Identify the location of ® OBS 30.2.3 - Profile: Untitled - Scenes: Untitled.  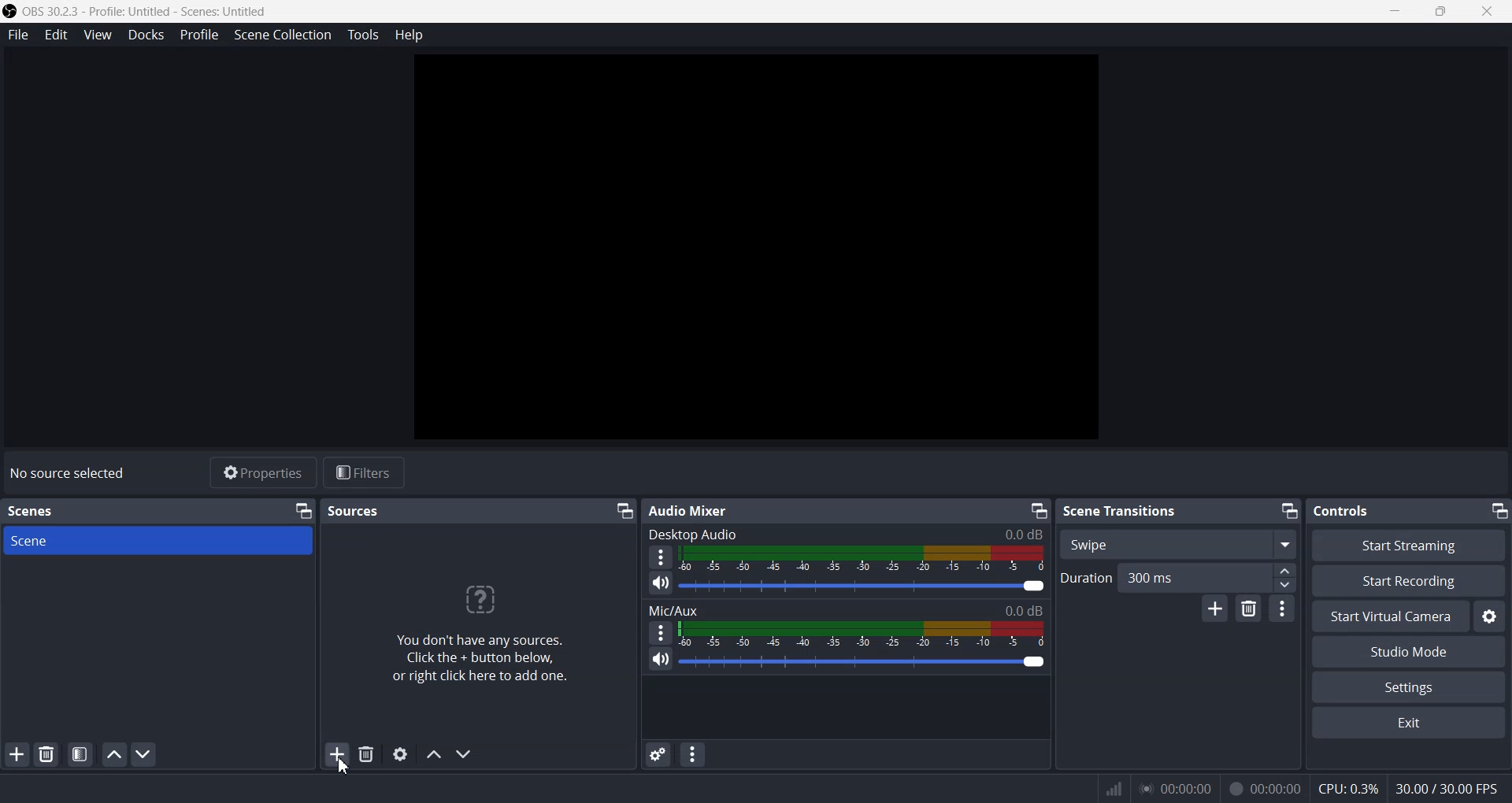
(148, 11).